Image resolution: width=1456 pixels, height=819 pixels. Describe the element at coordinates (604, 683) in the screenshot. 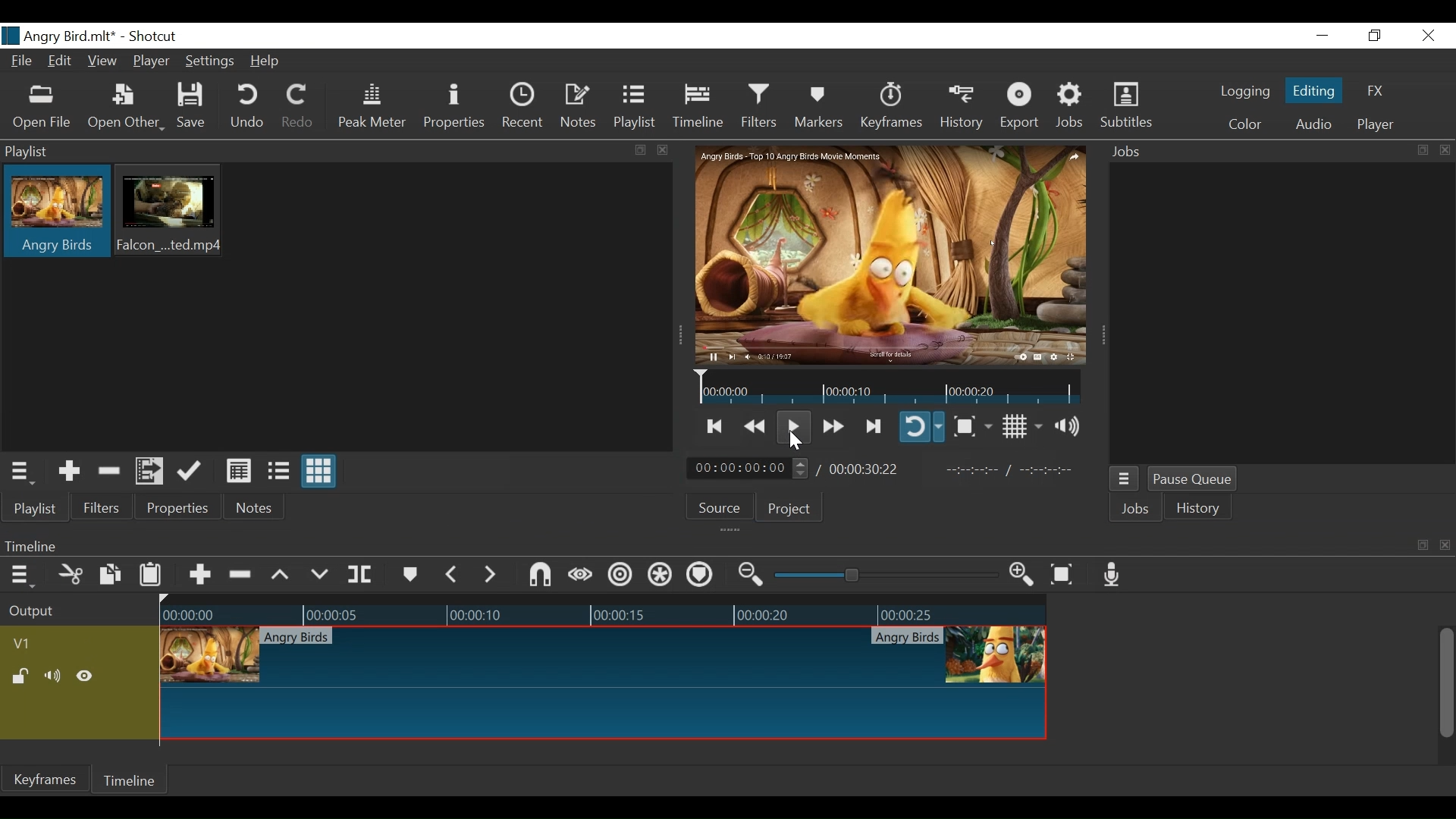

I see `Clip at thumbnail` at that location.